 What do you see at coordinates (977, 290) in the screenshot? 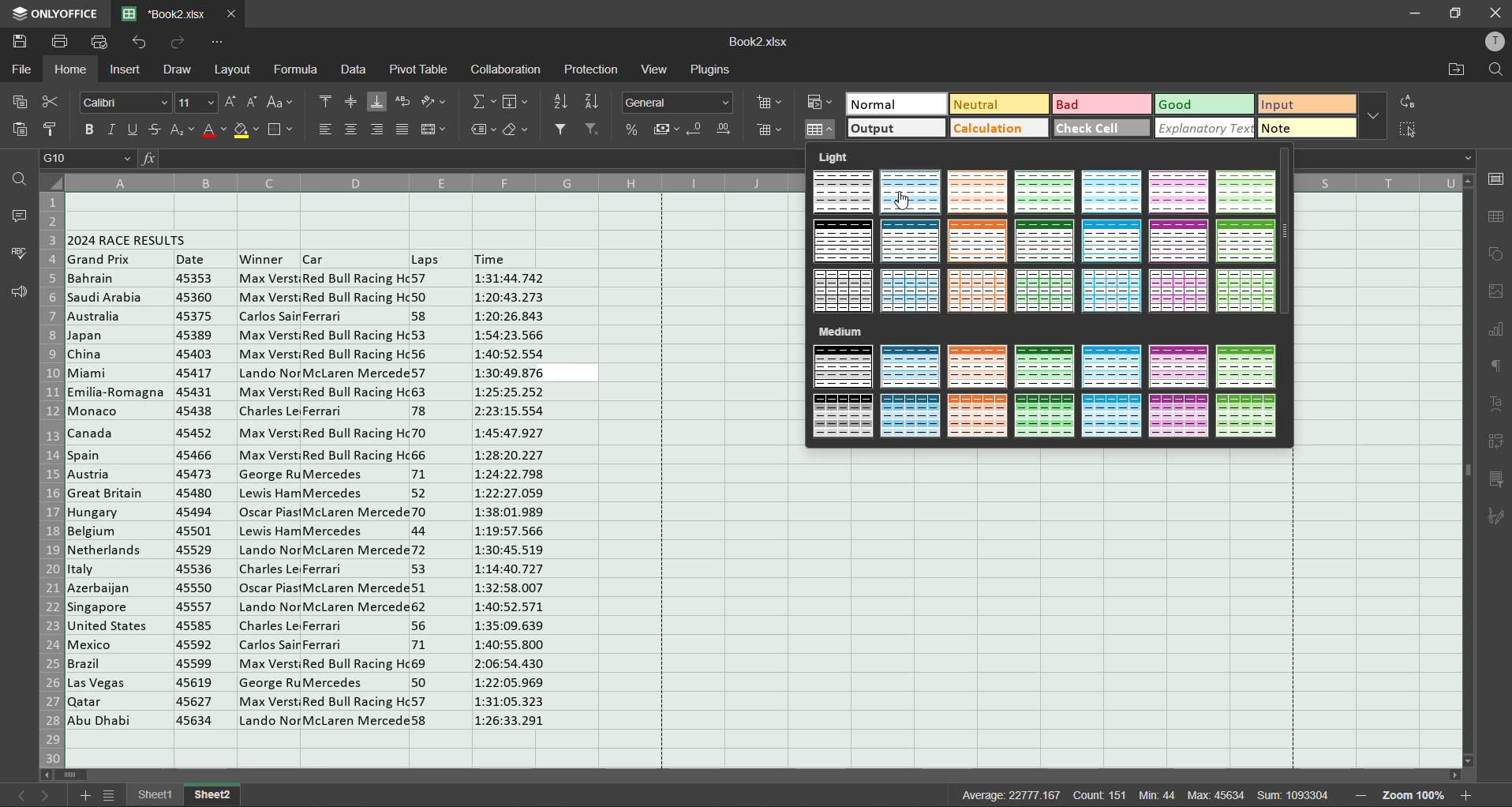
I see `table style light 17` at bounding box center [977, 290].